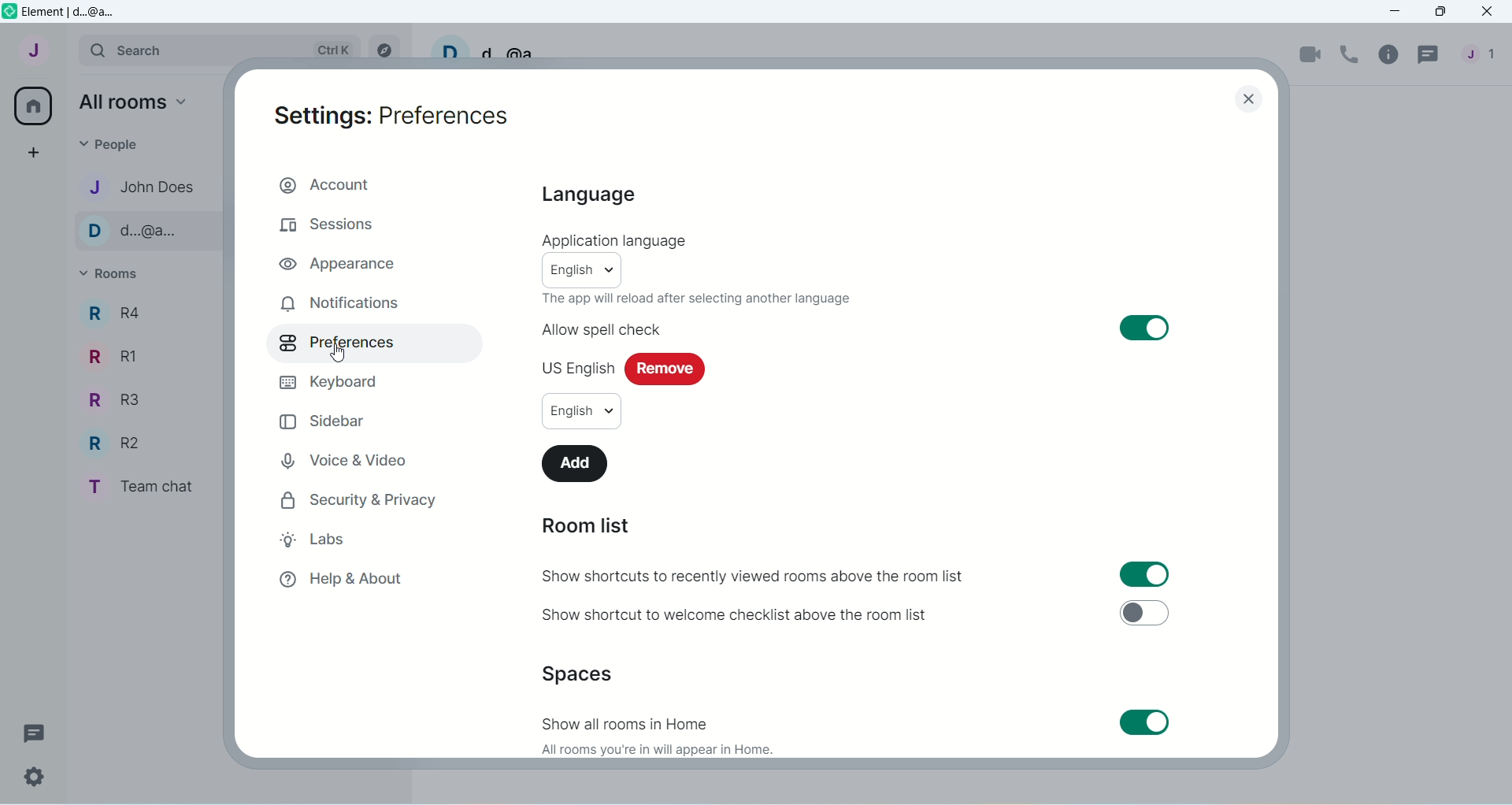 This screenshot has height=805, width=1512. I want to click on The app will reload after selecting another language, so click(702, 299).